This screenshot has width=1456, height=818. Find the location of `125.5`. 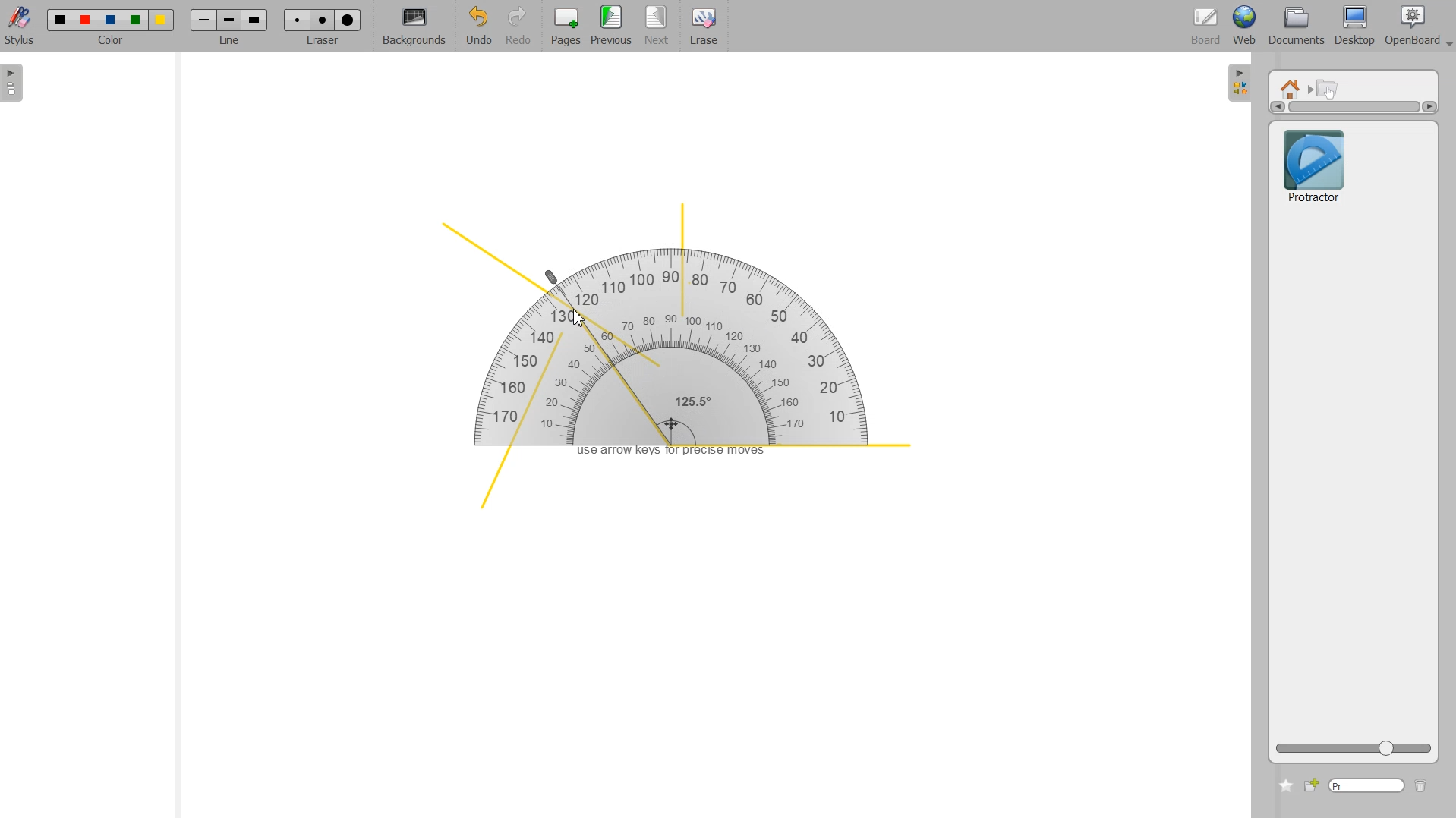

125.5 is located at coordinates (693, 401).